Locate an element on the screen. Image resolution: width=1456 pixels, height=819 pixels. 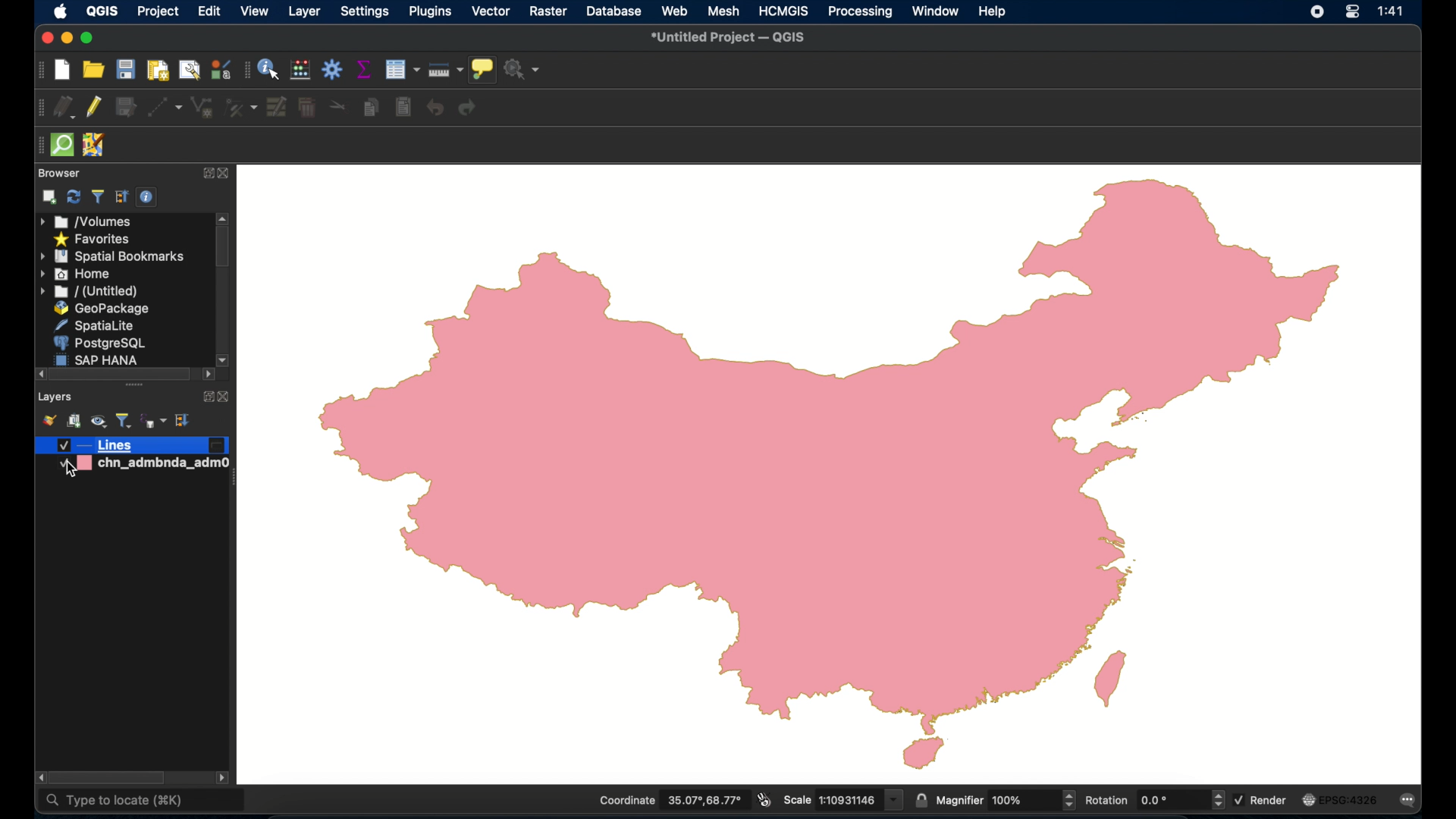
current crs is located at coordinates (1342, 799).